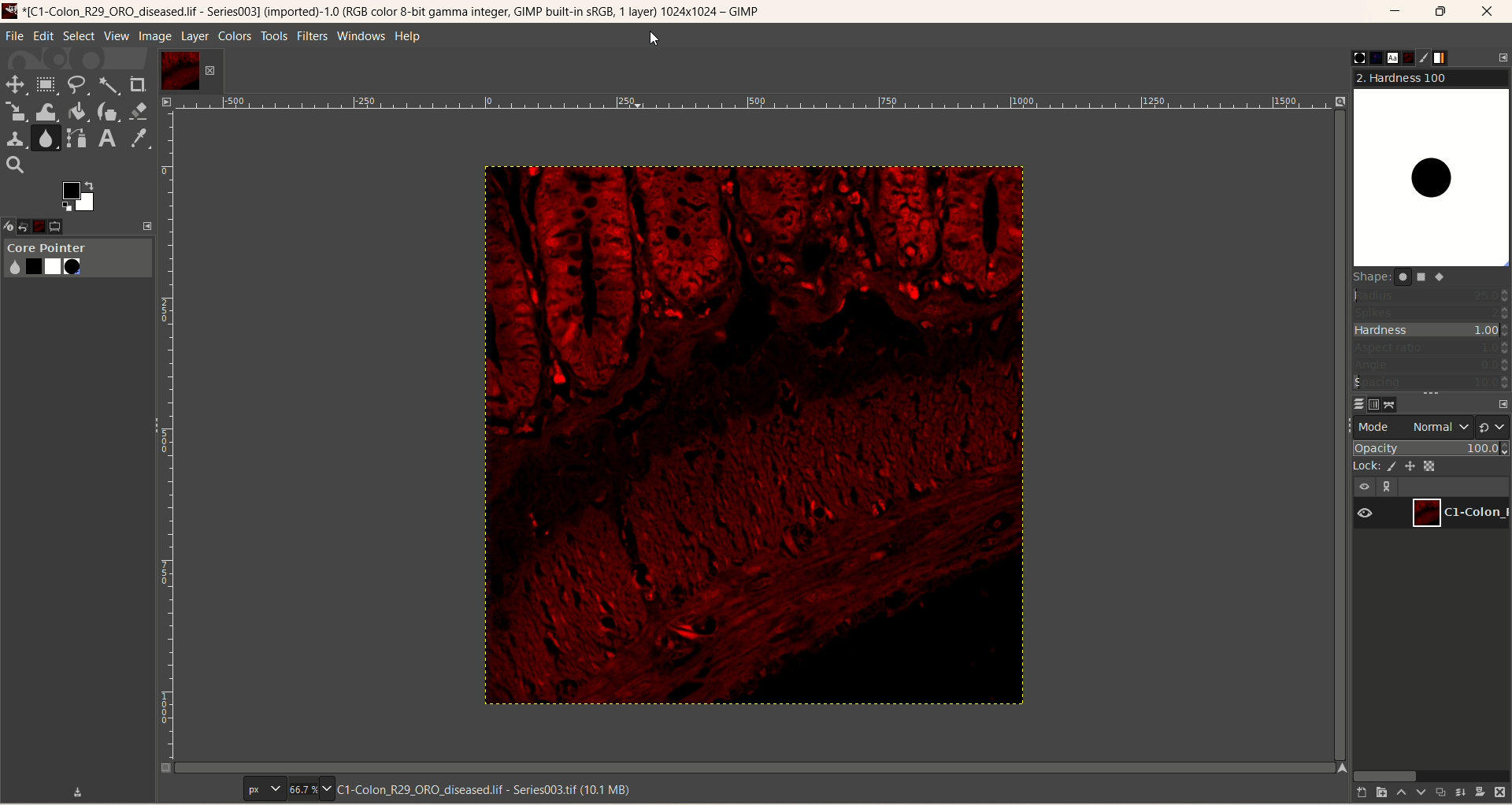 This screenshot has width=1512, height=805. Describe the element at coordinates (1366, 485) in the screenshot. I see `visibility` at that location.